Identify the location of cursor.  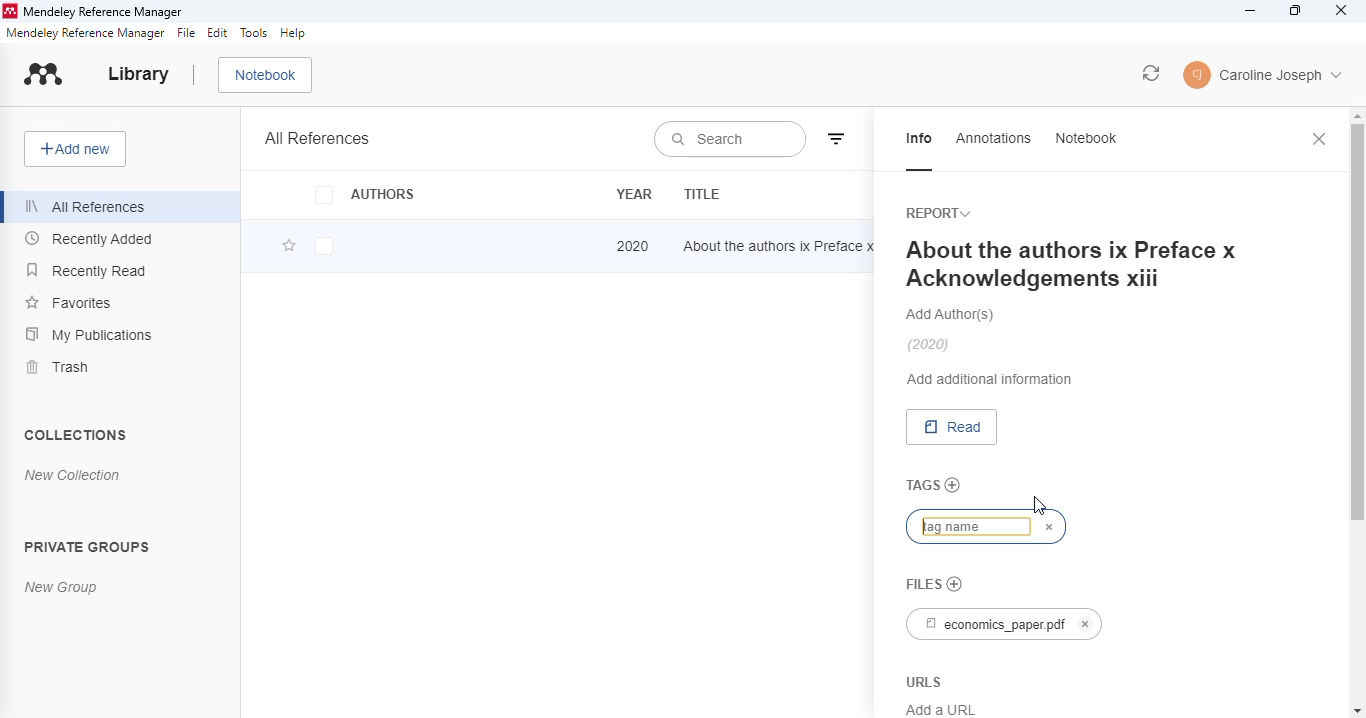
(1031, 505).